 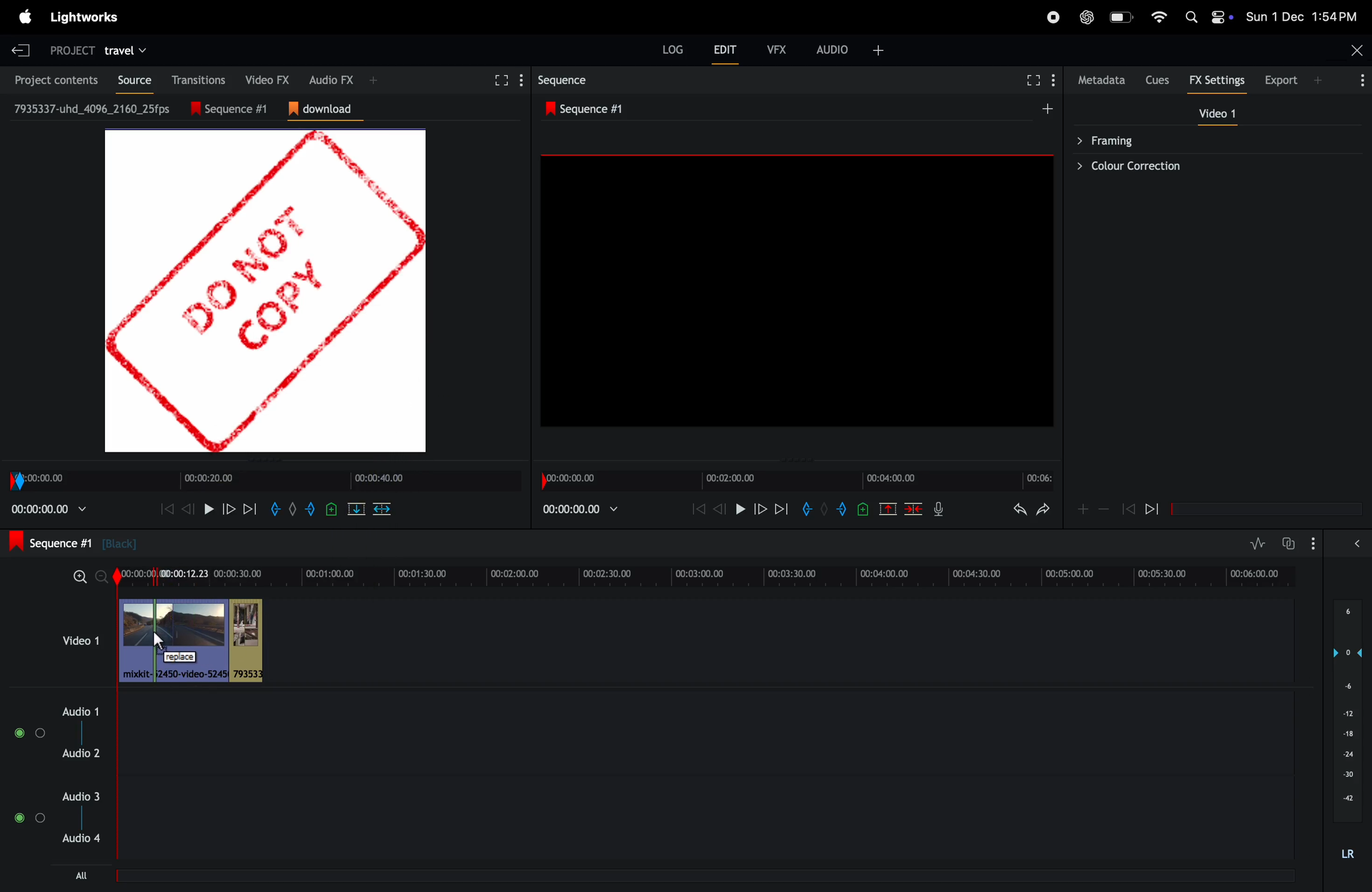 What do you see at coordinates (52, 79) in the screenshot?
I see `project contents` at bounding box center [52, 79].